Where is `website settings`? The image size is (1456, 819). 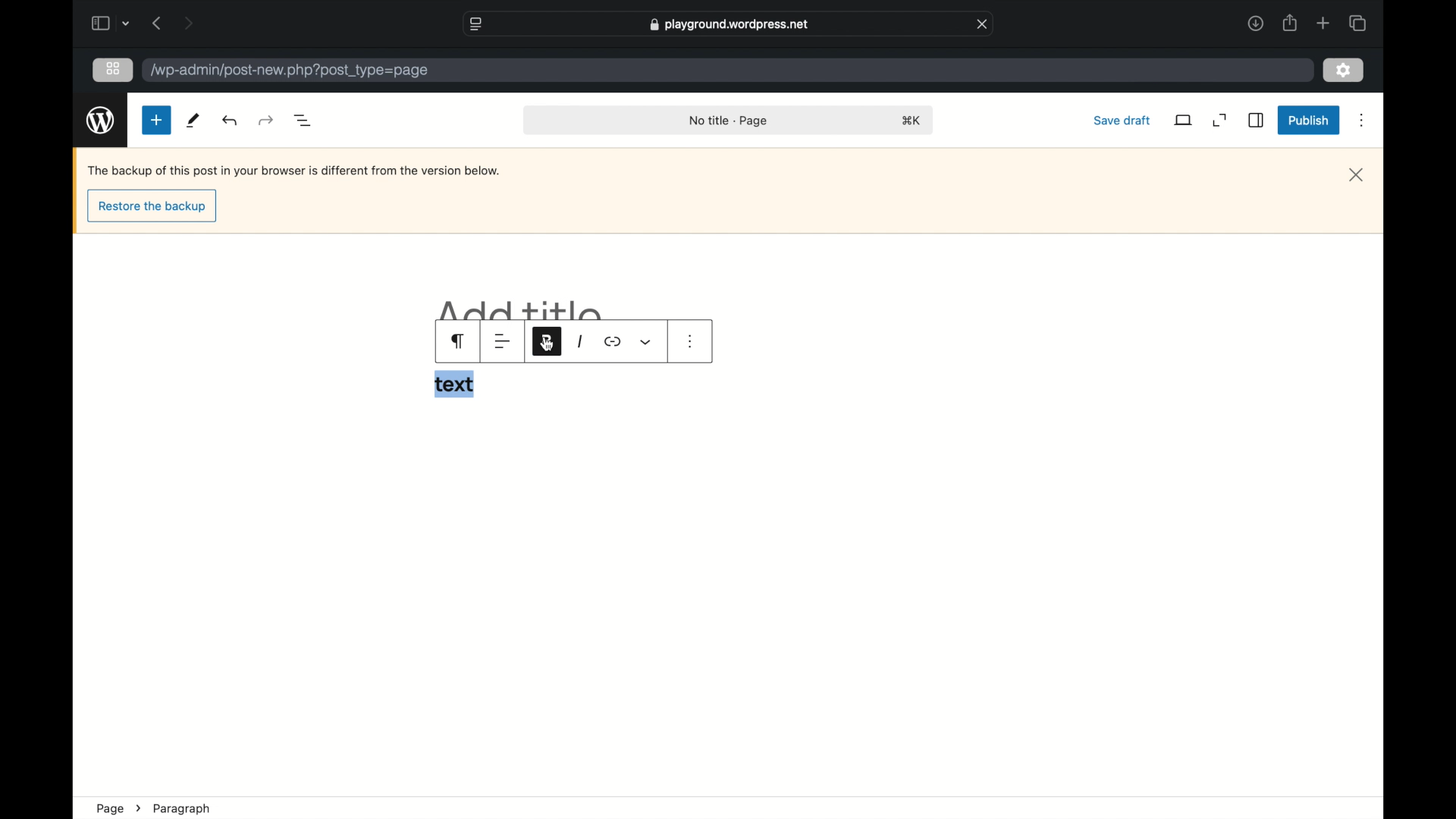 website settings is located at coordinates (475, 23).